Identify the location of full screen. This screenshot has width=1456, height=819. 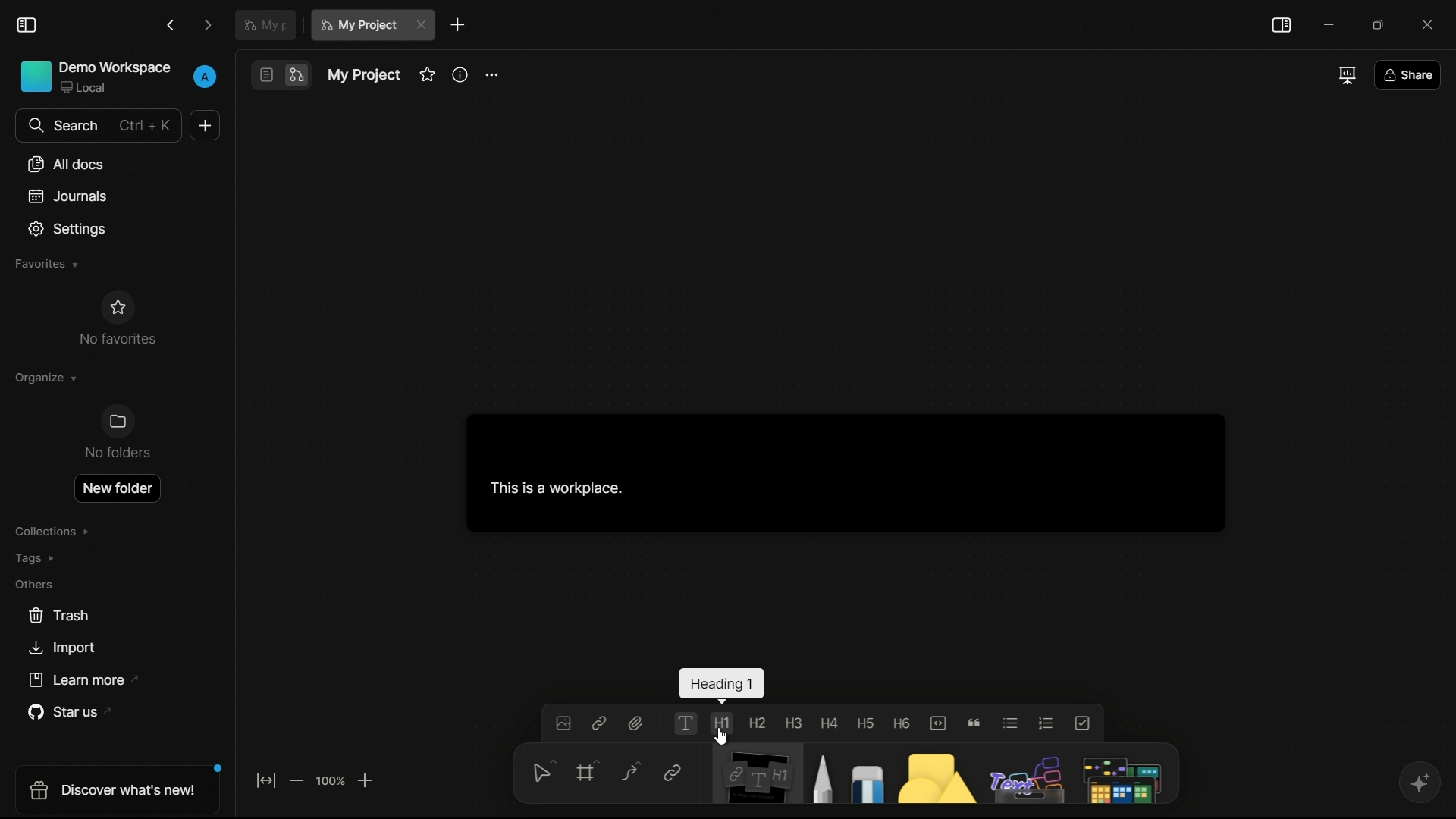
(1345, 76).